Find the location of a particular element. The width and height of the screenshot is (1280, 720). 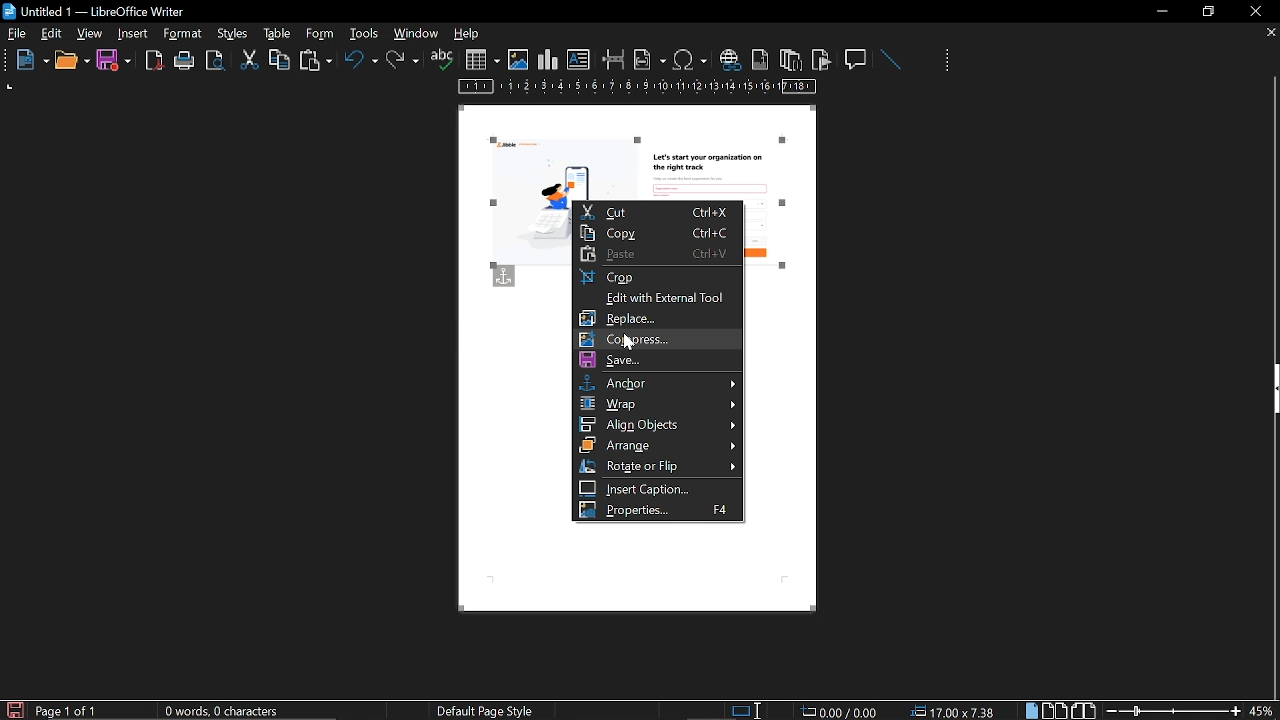

insert footnote is located at coordinates (758, 59).